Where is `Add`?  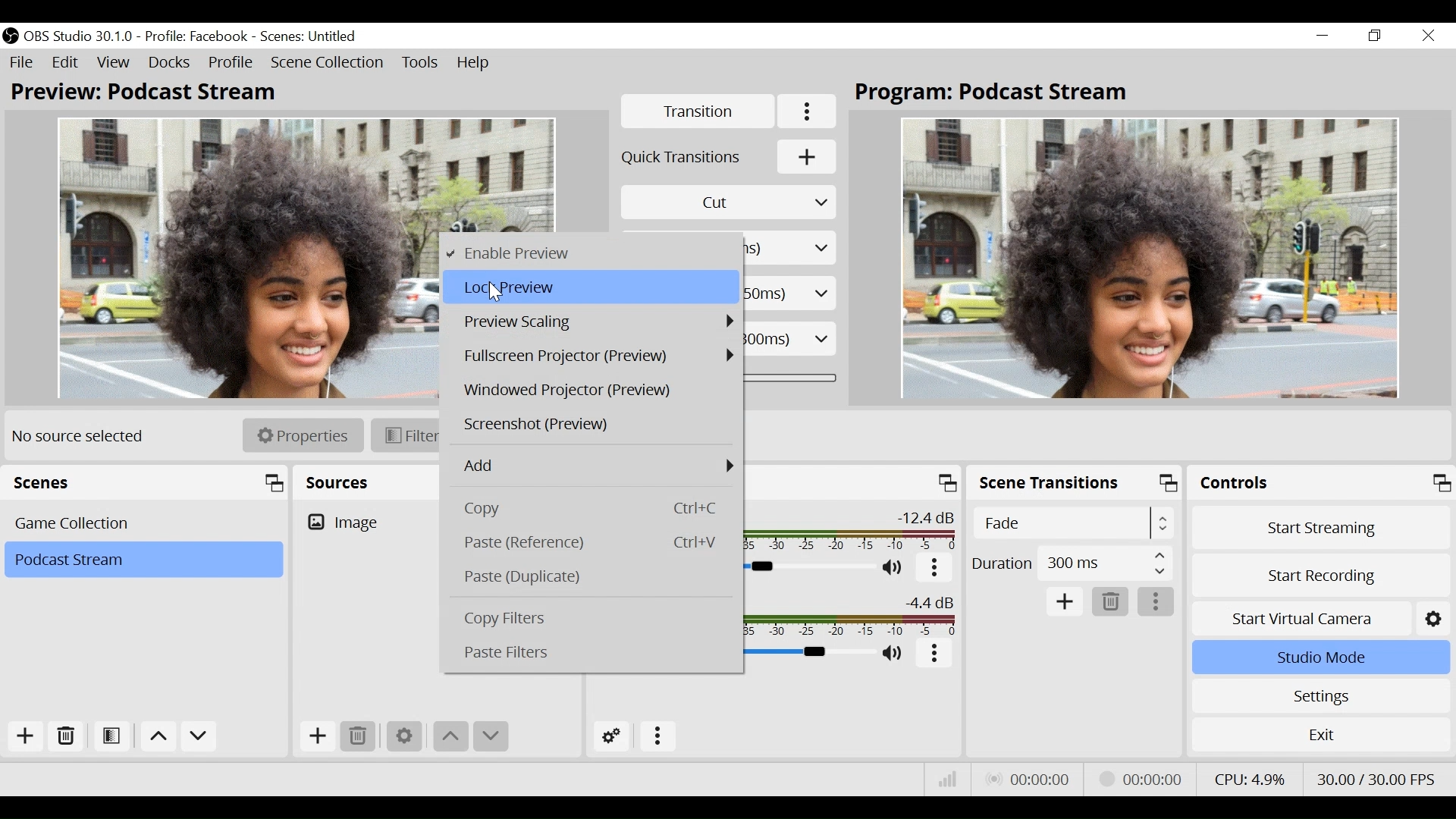 Add is located at coordinates (597, 466).